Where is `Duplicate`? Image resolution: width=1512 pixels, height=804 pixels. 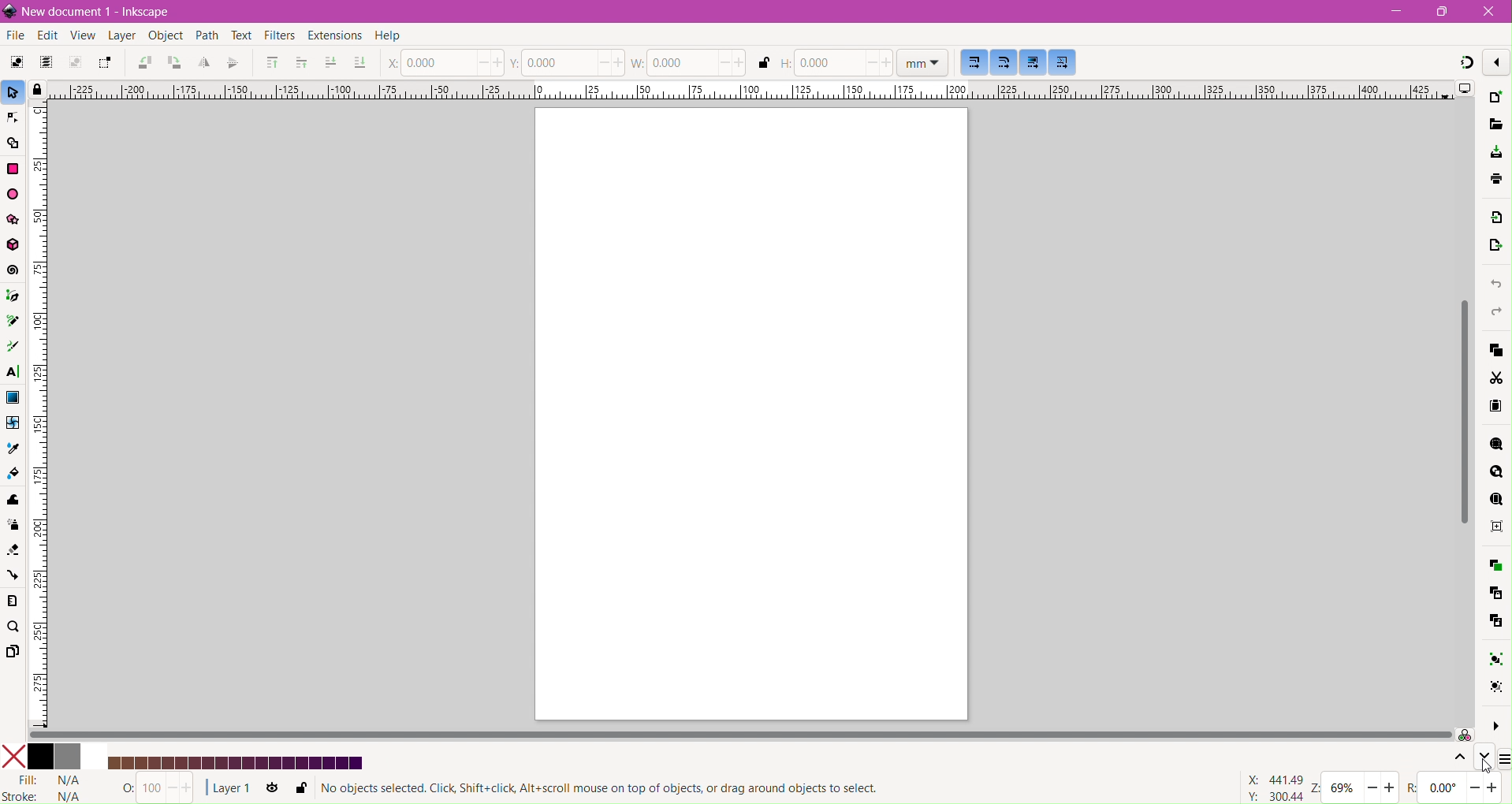 Duplicate is located at coordinates (1493, 564).